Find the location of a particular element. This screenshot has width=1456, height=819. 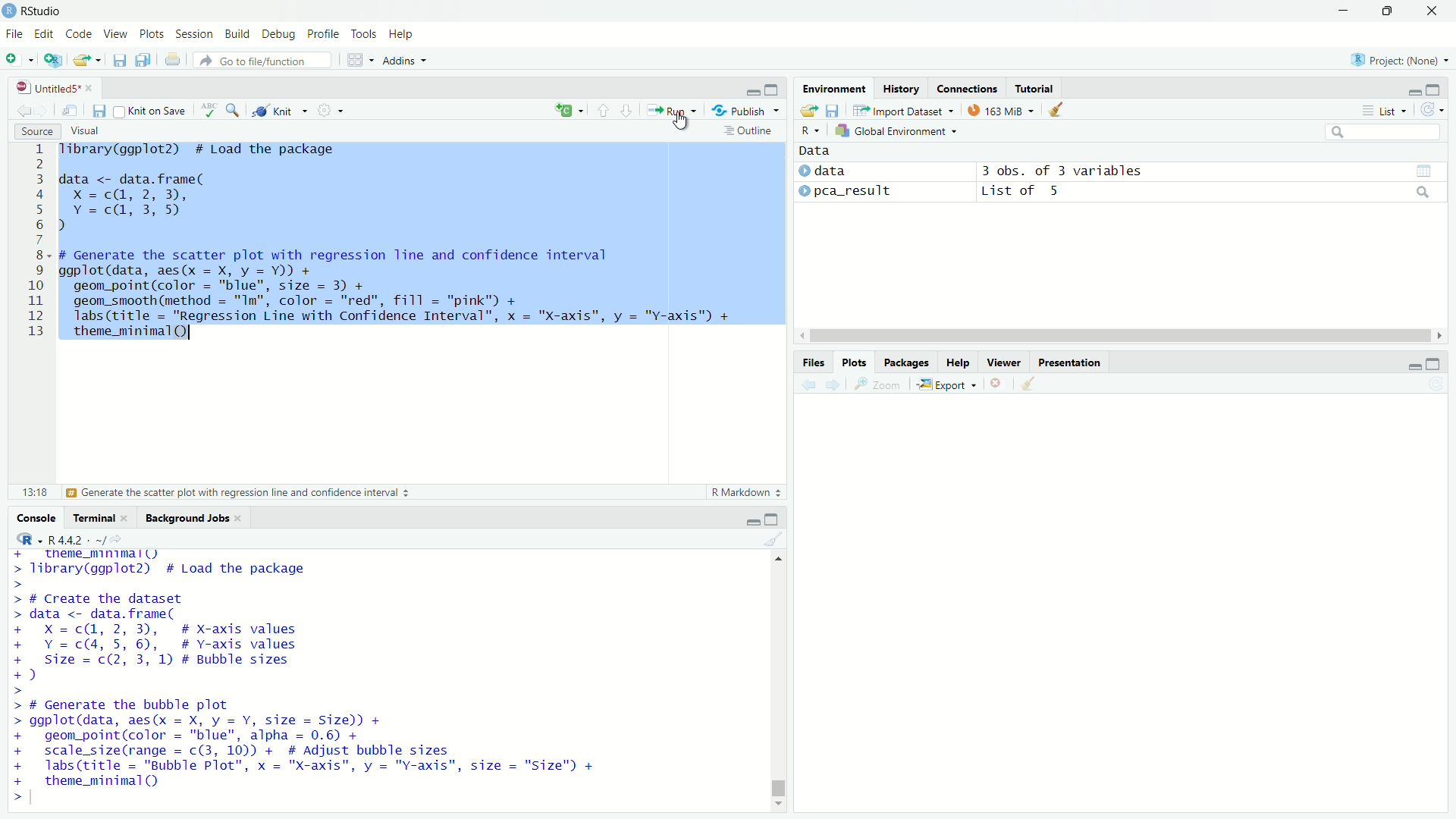

Tools is located at coordinates (364, 34).